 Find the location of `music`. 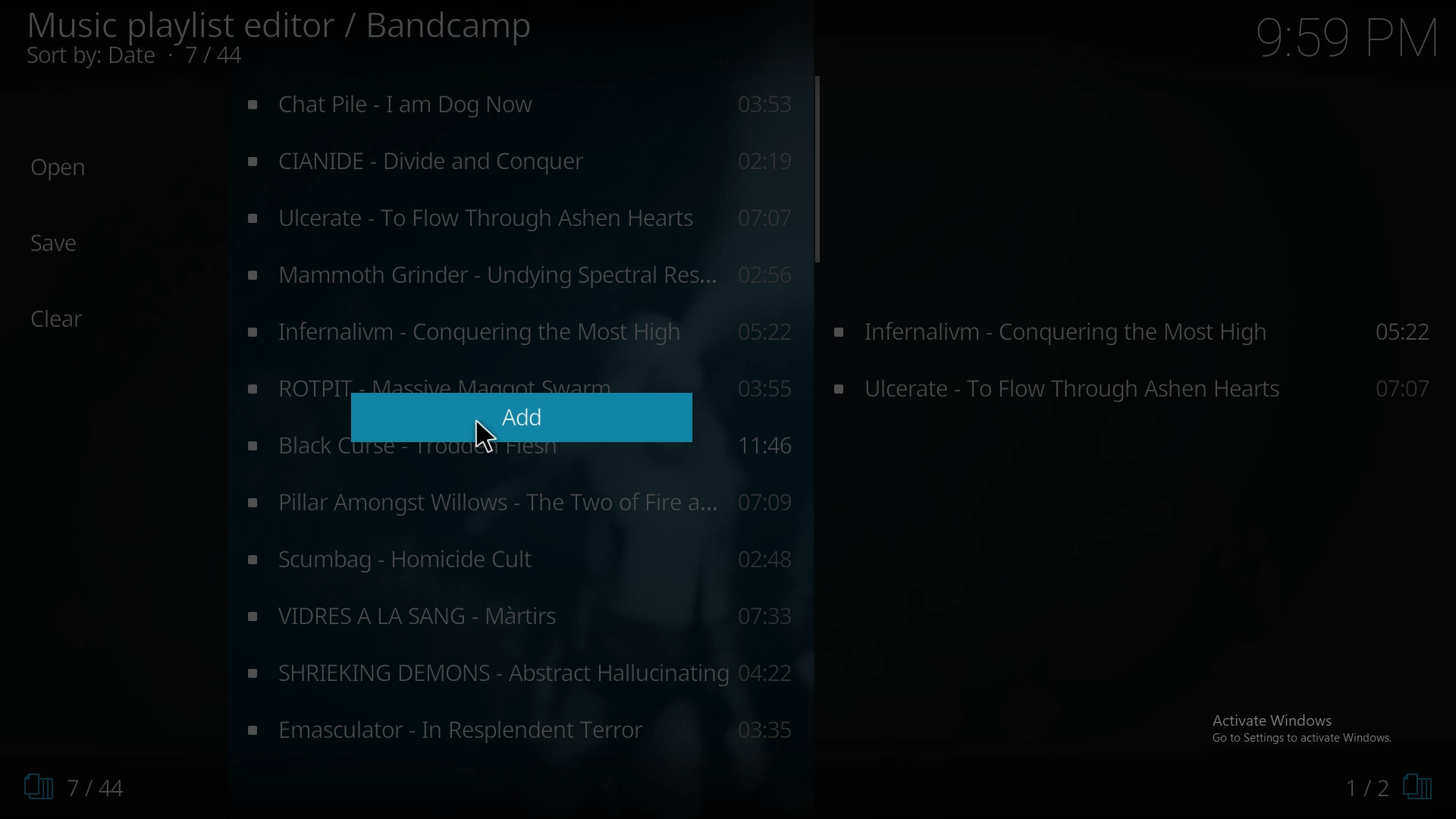

music is located at coordinates (526, 733).